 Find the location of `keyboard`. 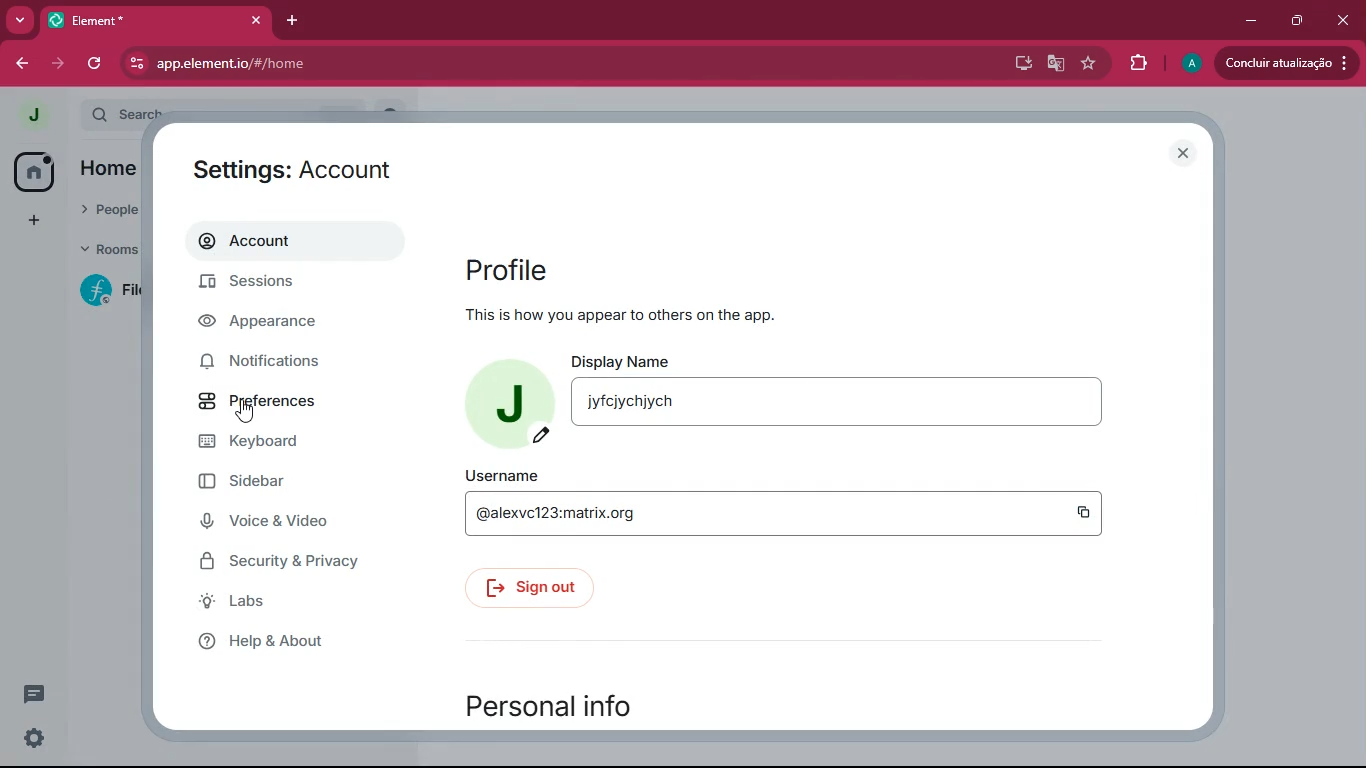

keyboard is located at coordinates (277, 445).